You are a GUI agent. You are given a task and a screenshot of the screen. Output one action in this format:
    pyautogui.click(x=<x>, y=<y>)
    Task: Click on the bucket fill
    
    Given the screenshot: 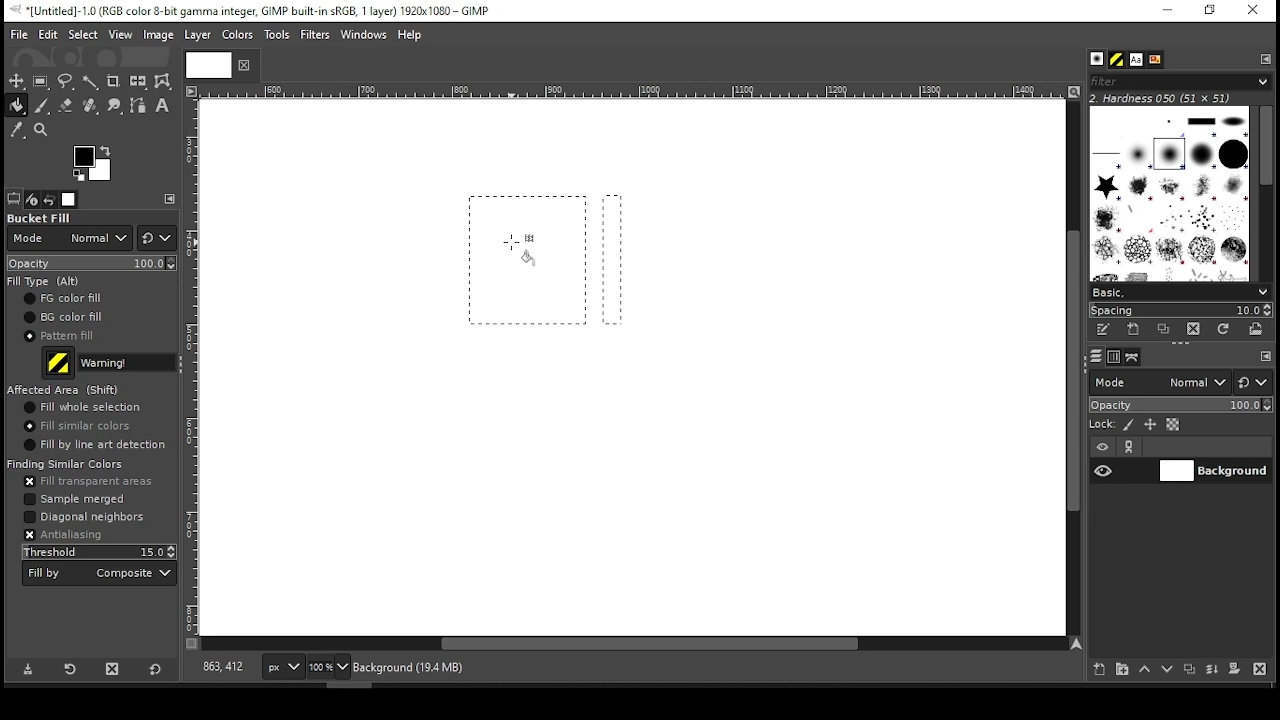 What is the action you would take?
    pyautogui.click(x=42, y=217)
    